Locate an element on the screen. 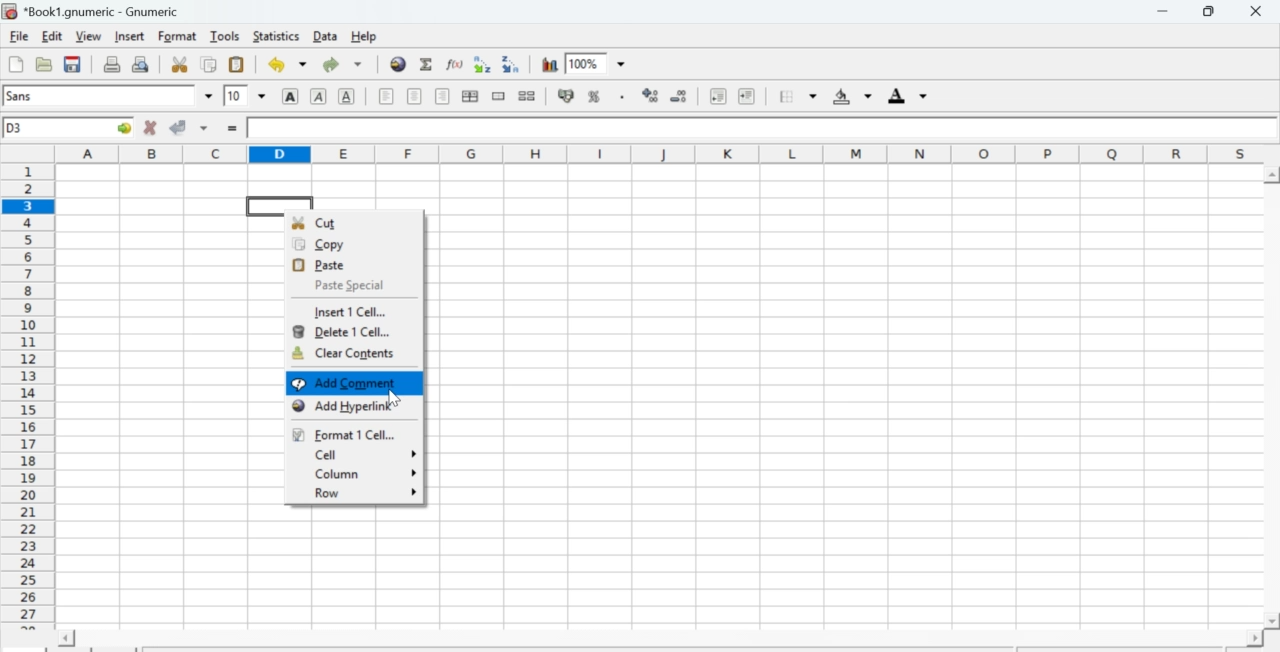 The image size is (1280, 652). Print preview is located at coordinates (144, 64).